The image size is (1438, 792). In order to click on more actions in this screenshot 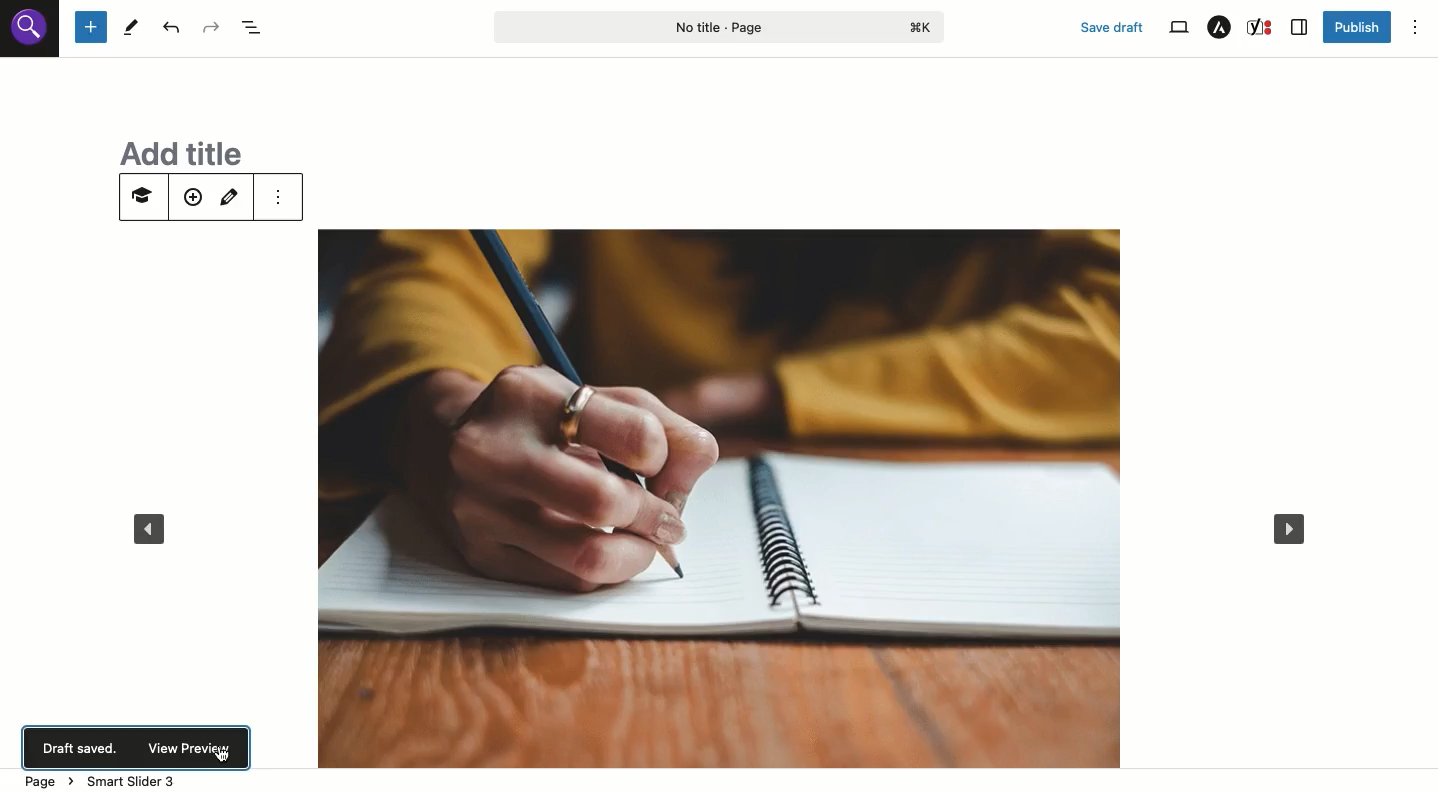, I will do `click(280, 196)`.